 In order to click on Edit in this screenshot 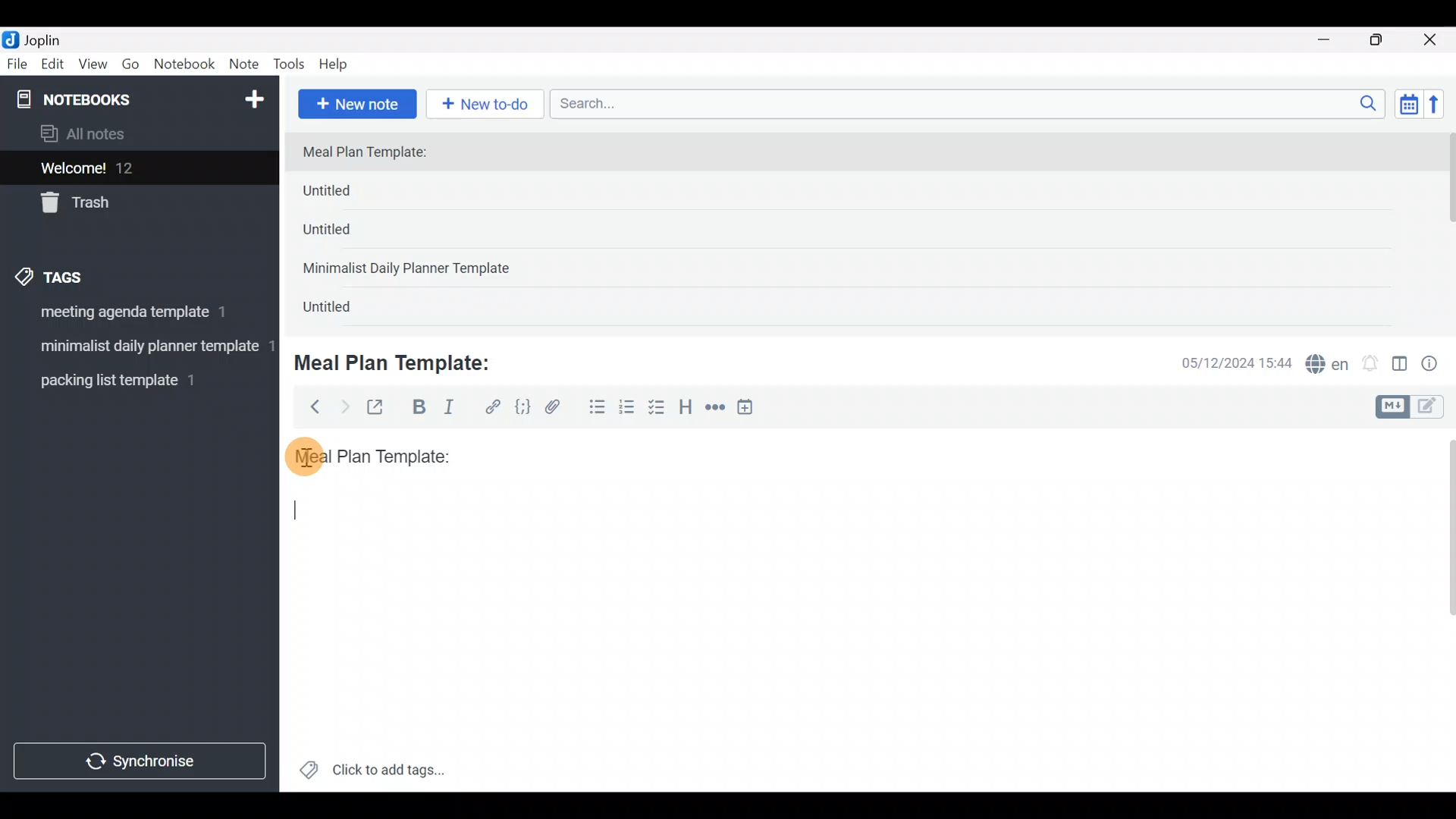, I will do `click(53, 67)`.